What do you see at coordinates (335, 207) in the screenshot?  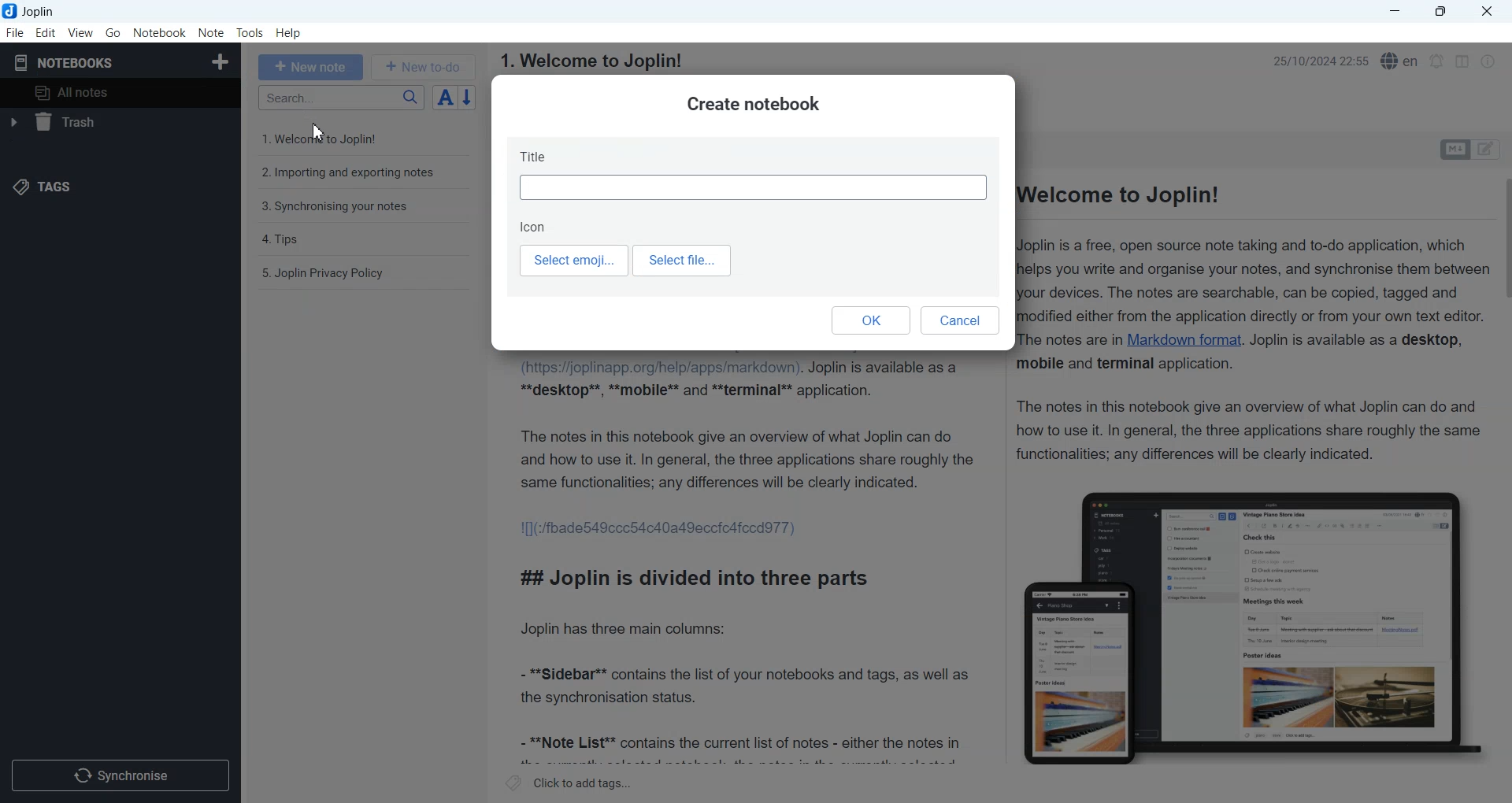 I see `3. Synchronising your notes` at bounding box center [335, 207].